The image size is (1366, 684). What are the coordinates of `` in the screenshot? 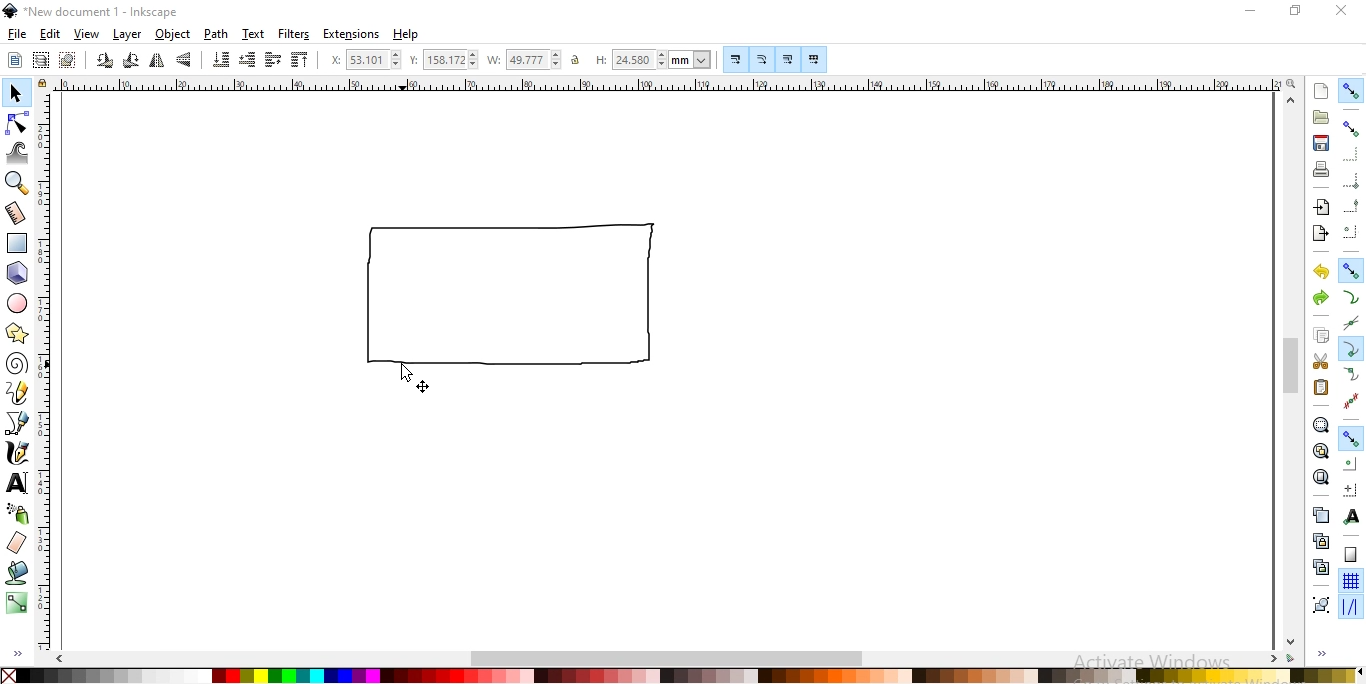 It's located at (1352, 437).